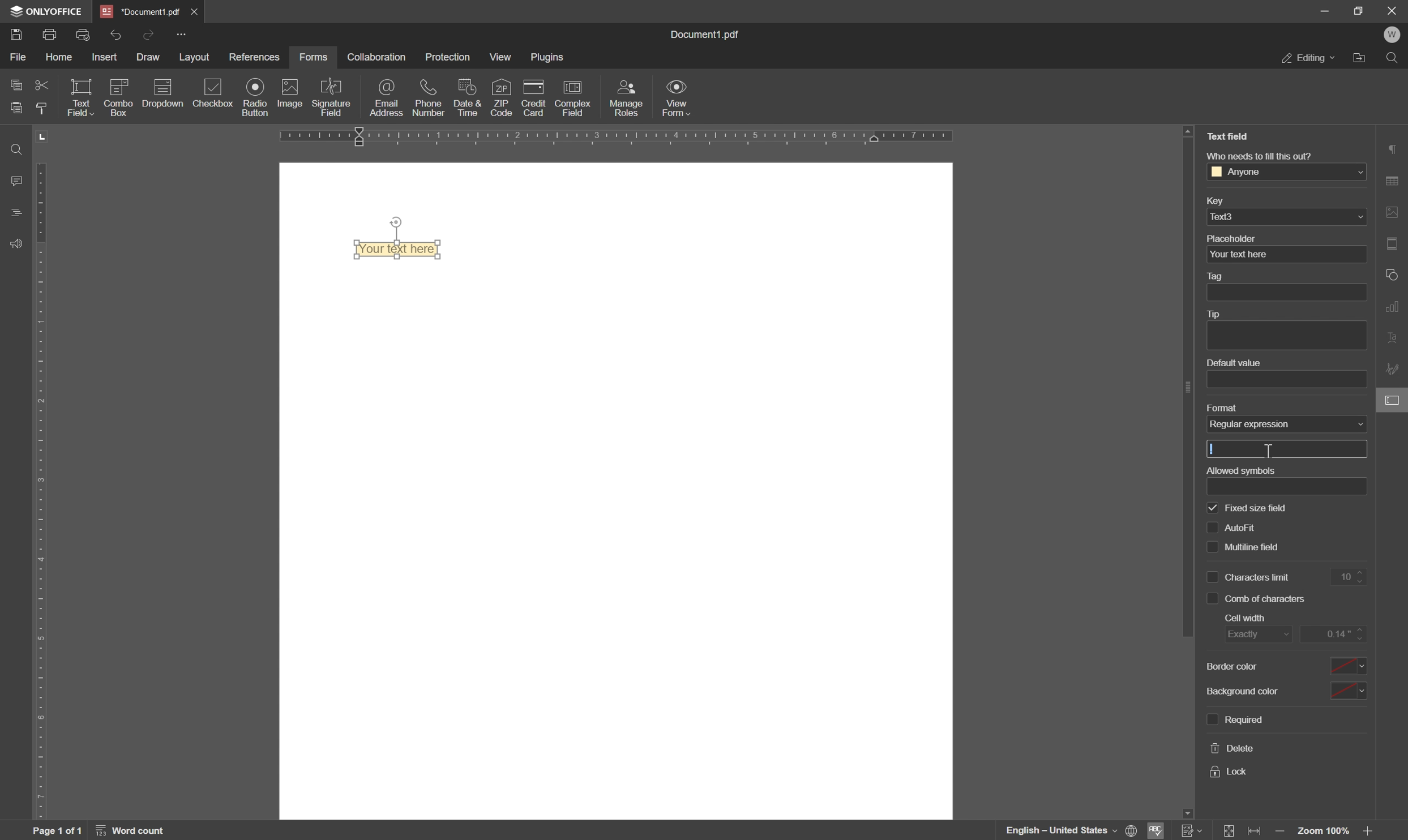  Describe the element at coordinates (1233, 238) in the screenshot. I see `placeholder` at that location.